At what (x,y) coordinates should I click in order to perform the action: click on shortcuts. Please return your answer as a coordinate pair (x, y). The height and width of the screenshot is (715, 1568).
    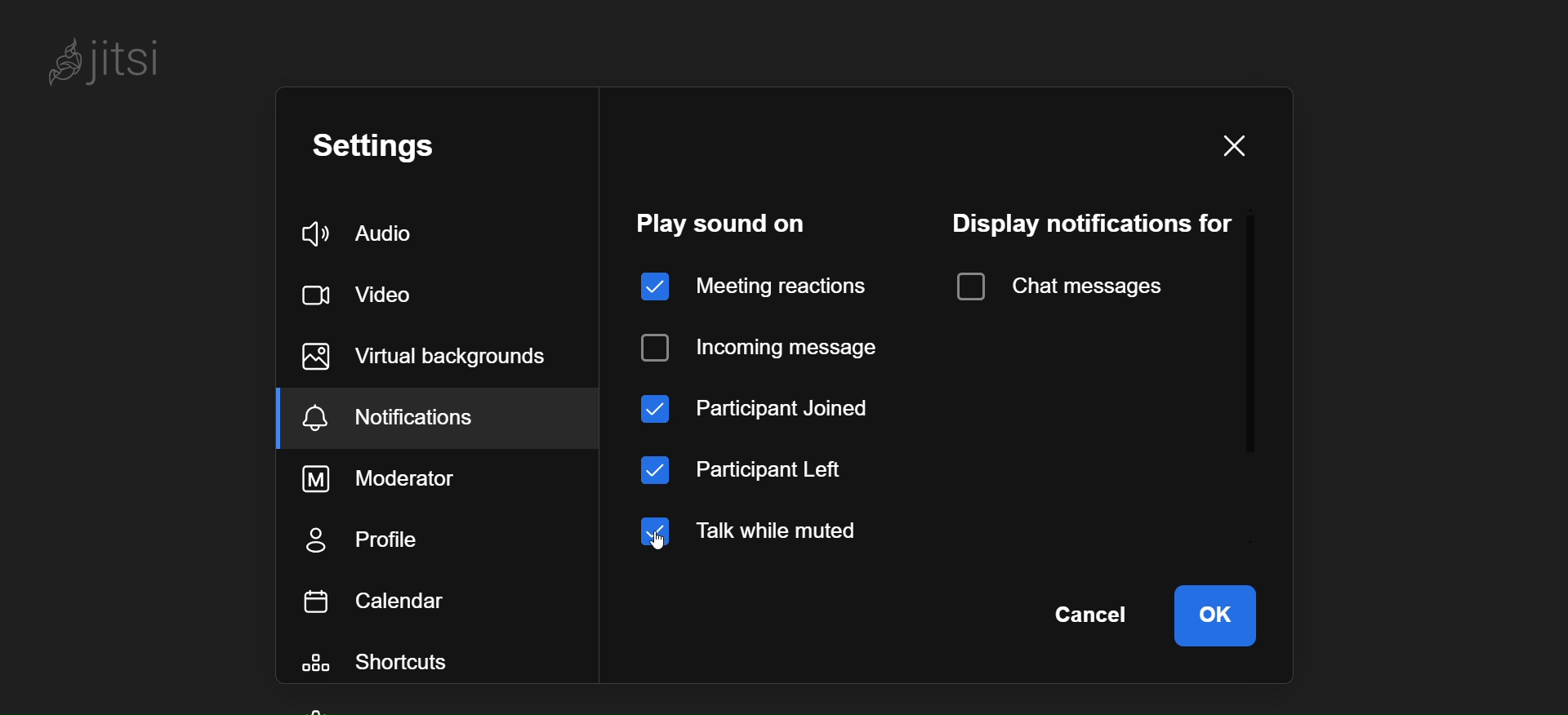
    Looking at the image, I should click on (382, 659).